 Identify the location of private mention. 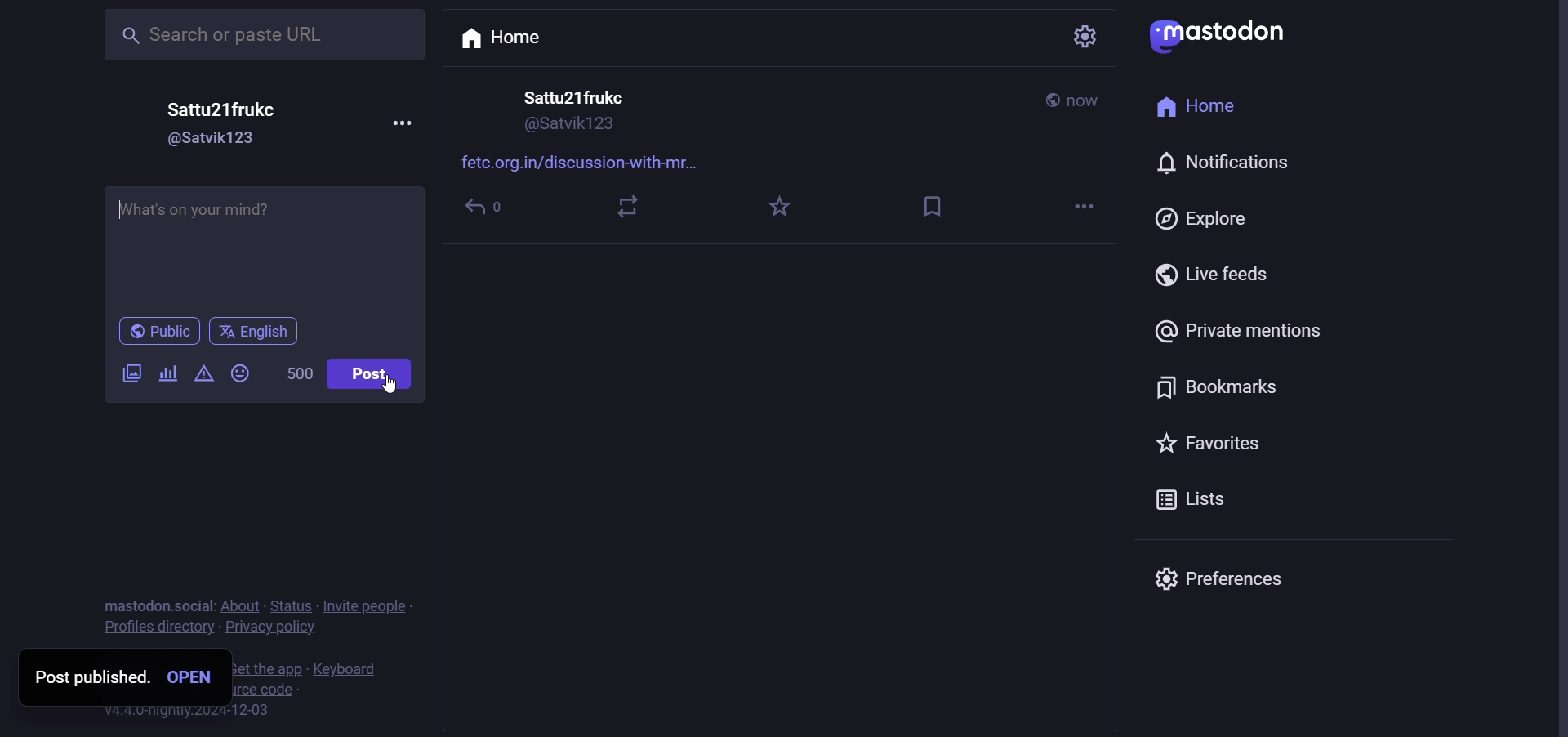
(1240, 328).